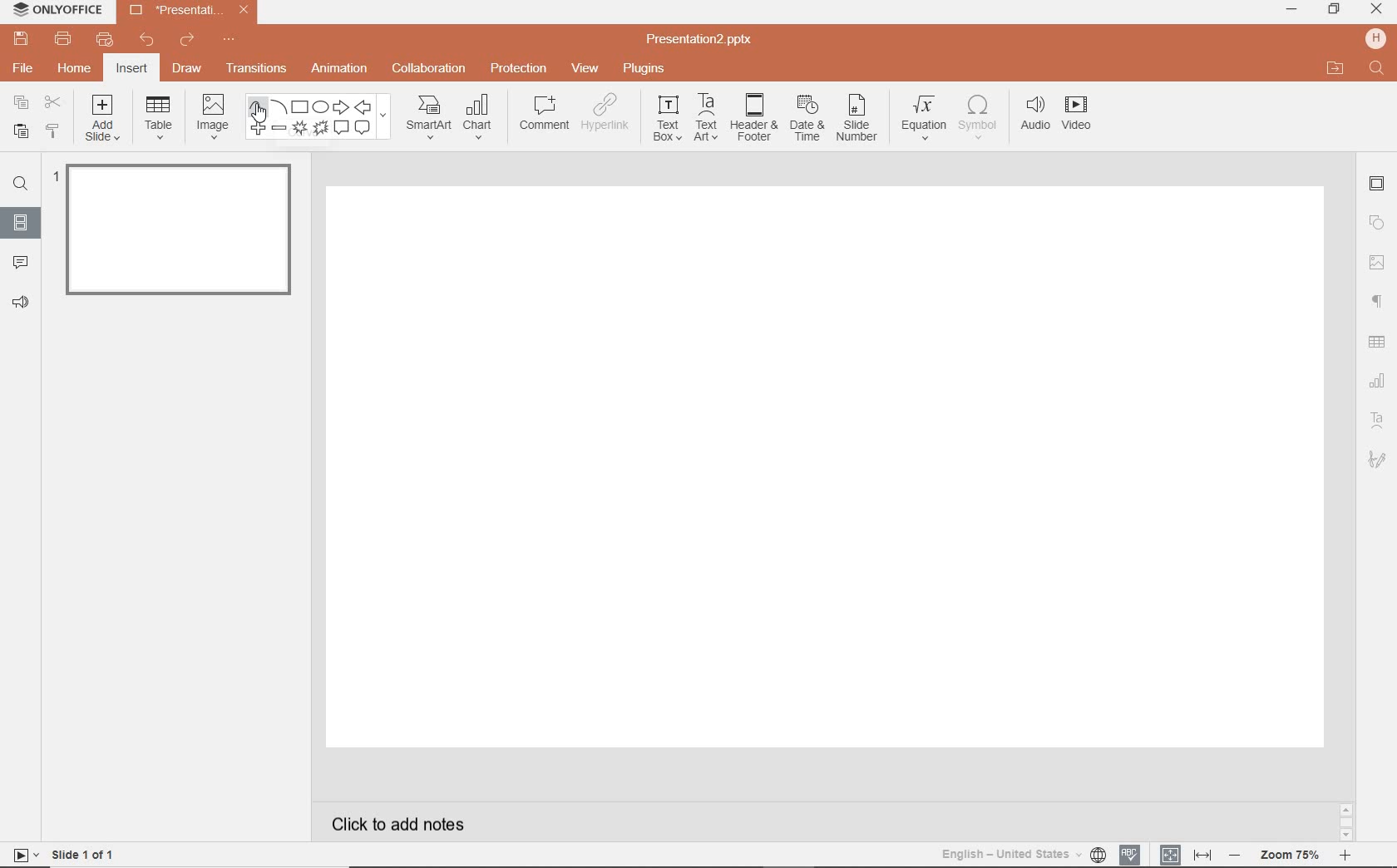 Image resolution: width=1397 pixels, height=868 pixels. Describe the element at coordinates (343, 69) in the screenshot. I see `ANIMATION` at that location.